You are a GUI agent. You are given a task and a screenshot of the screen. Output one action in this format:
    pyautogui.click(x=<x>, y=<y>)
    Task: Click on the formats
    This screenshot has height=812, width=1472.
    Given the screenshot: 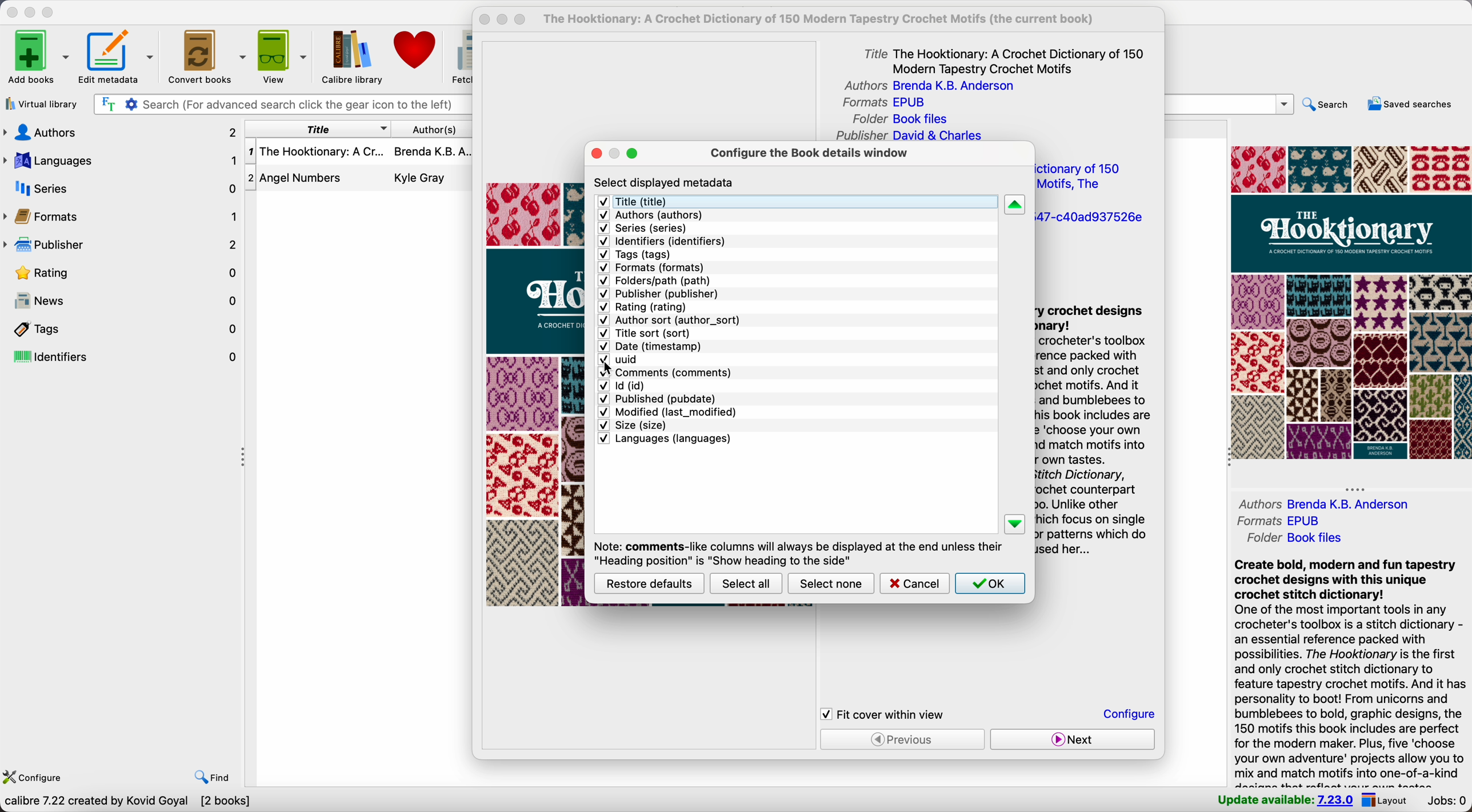 What is the action you would take?
    pyautogui.click(x=1277, y=519)
    